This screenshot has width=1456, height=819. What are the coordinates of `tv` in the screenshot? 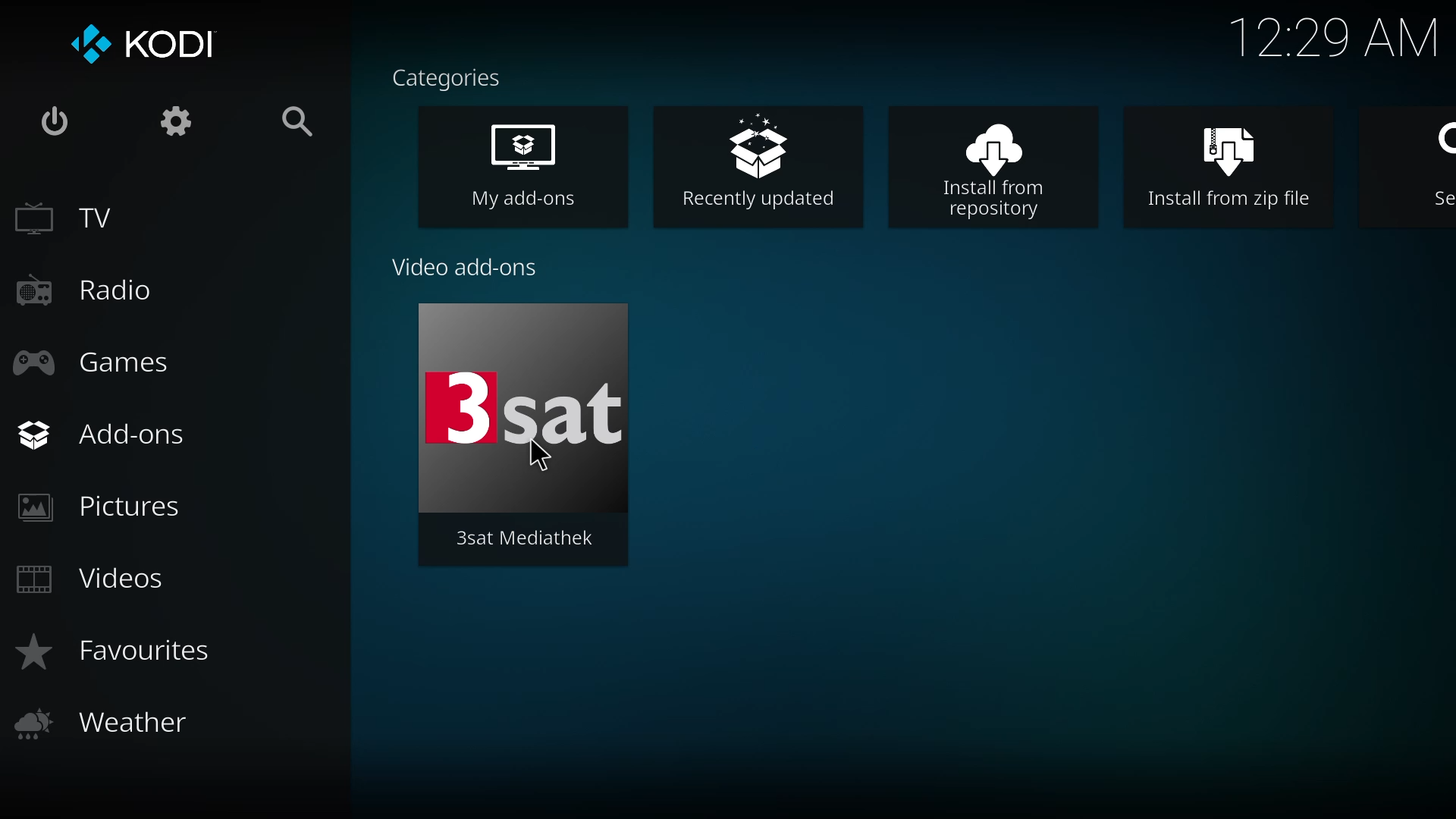 It's located at (66, 216).